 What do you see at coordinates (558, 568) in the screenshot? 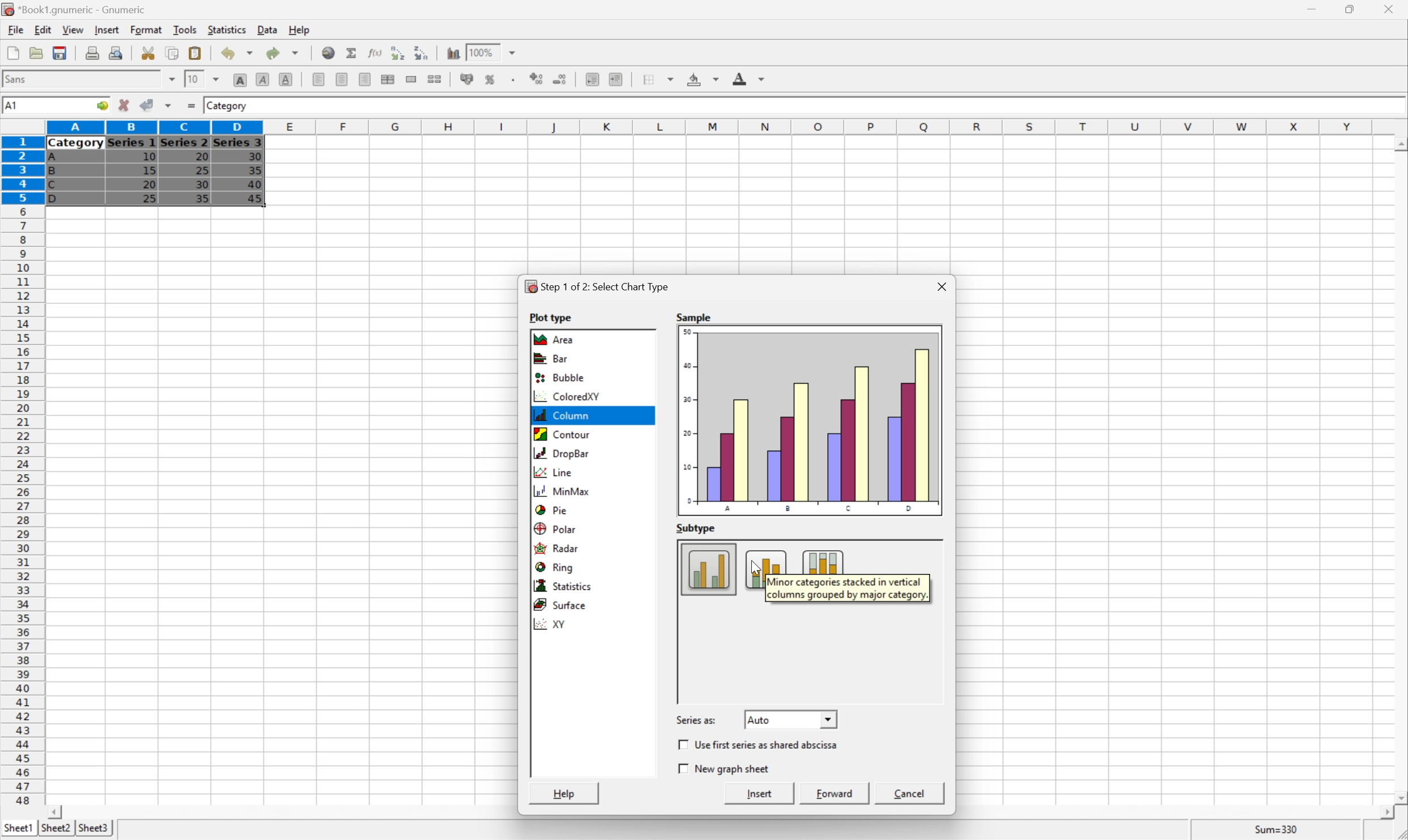
I see `Ring` at bounding box center [558, 568].